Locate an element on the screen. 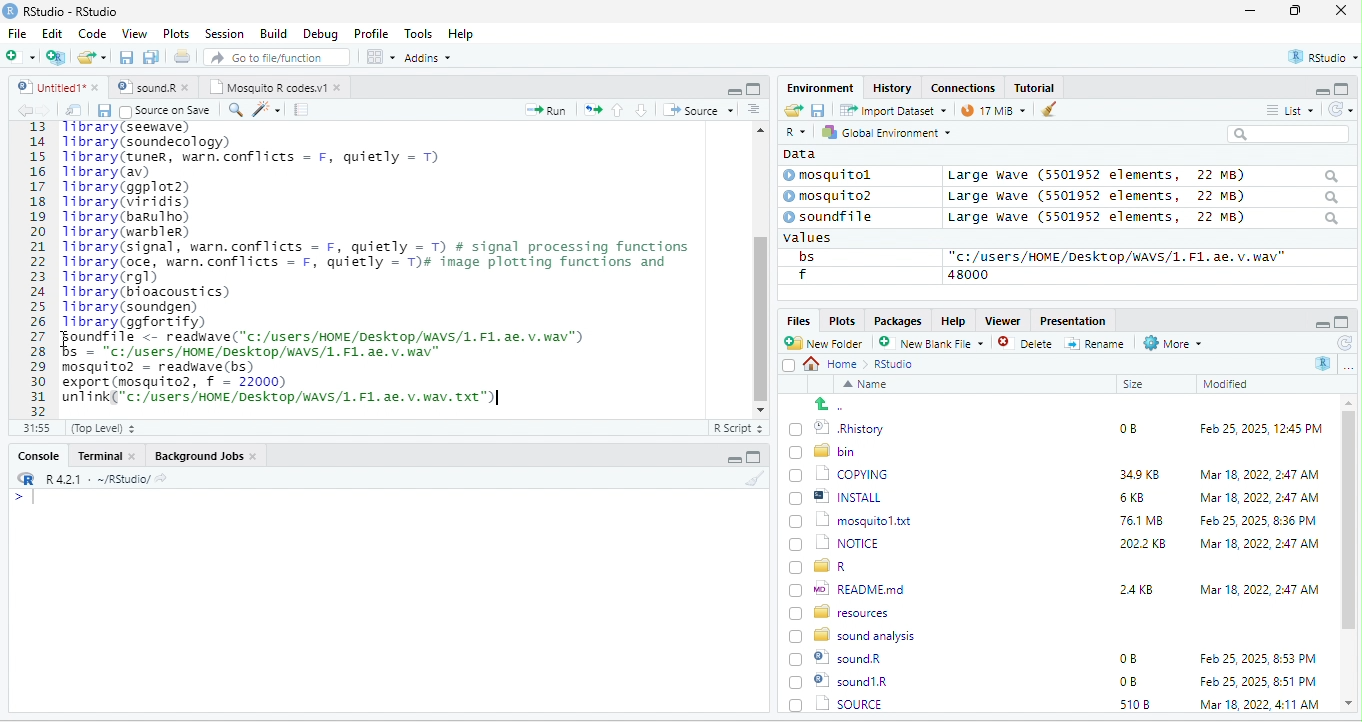  Rstudio is located at coordinates (895, 364).